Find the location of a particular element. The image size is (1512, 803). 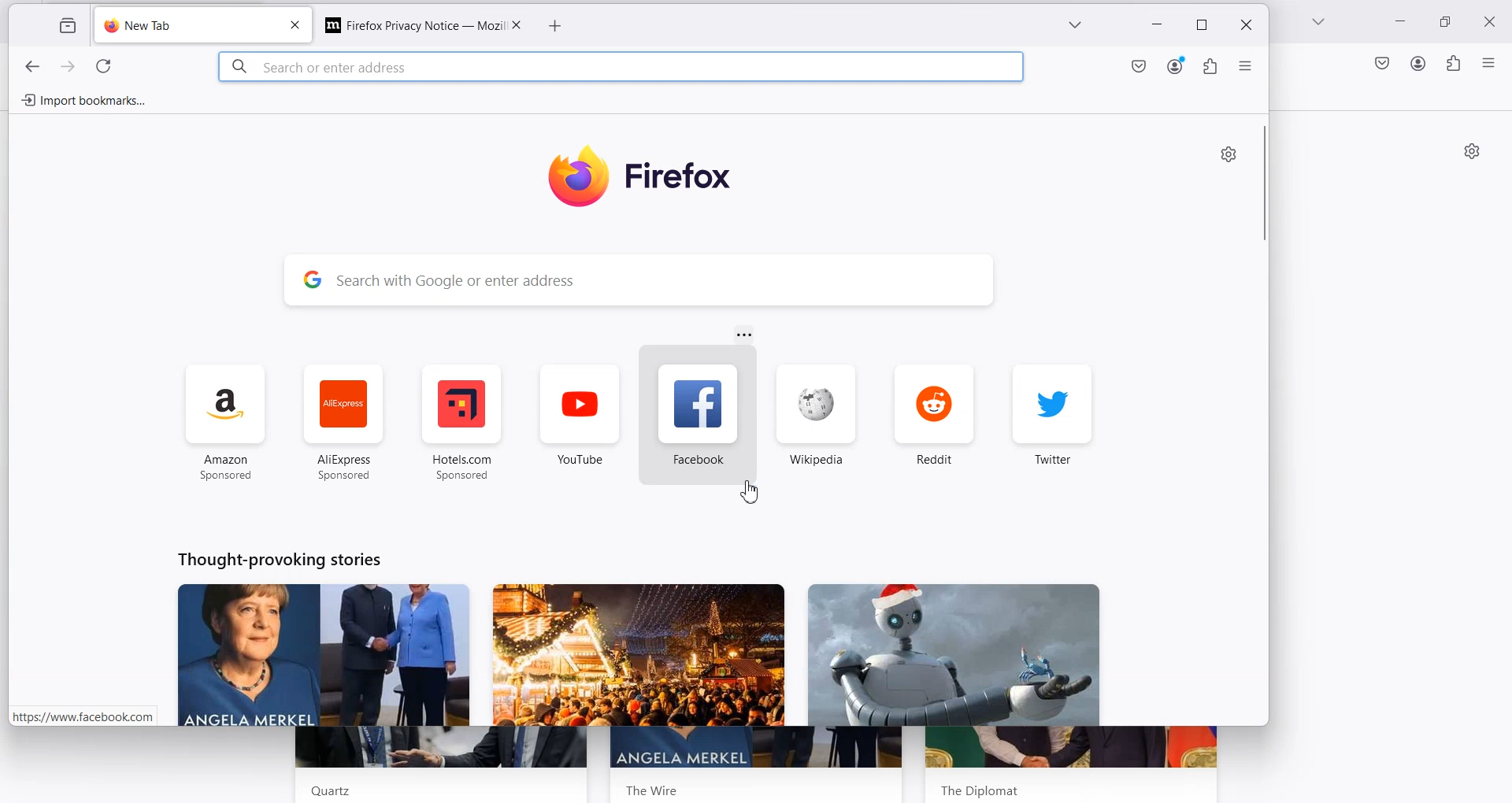

search or enter address is located at coordinates (580, 67).